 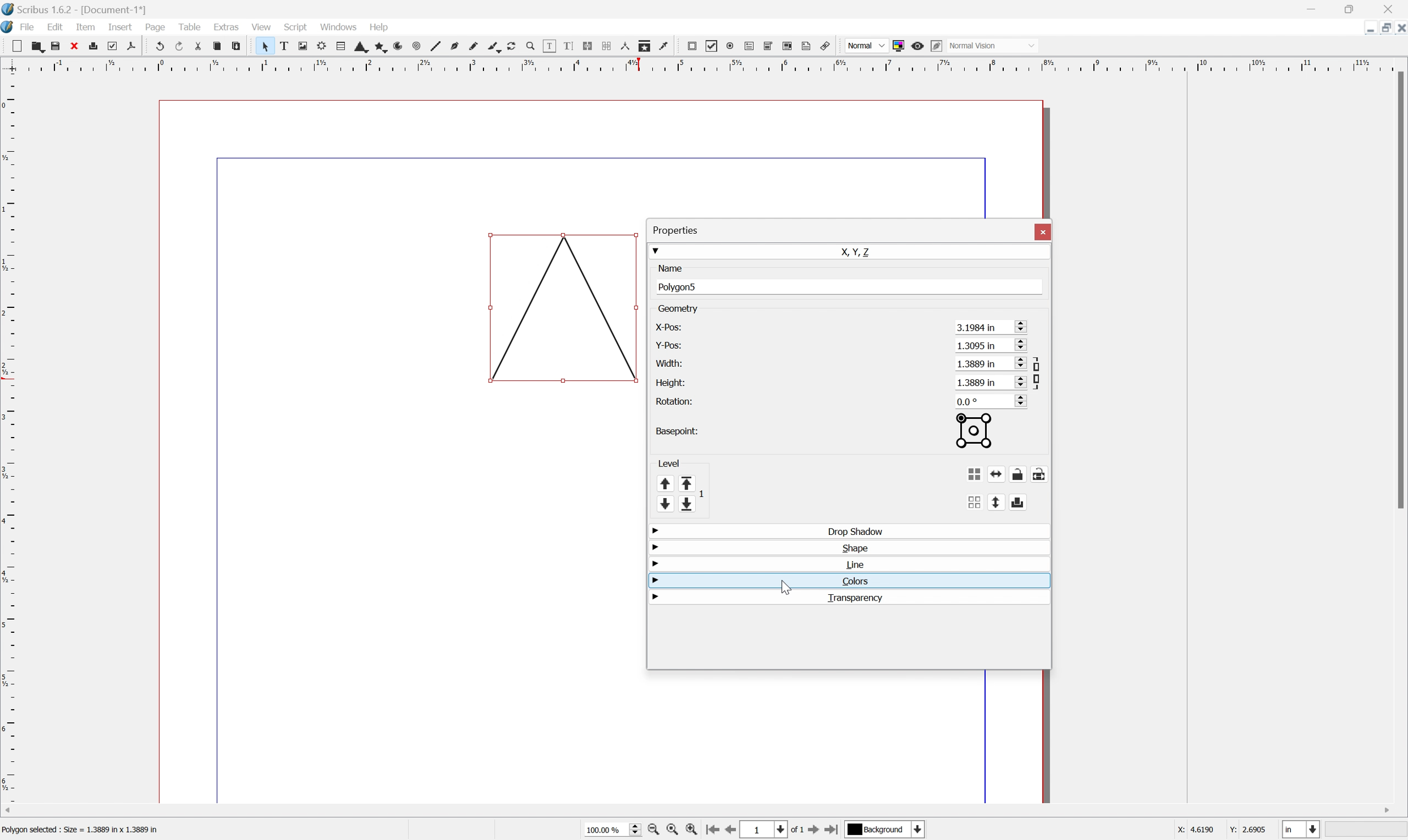 What do you see at coordinates (668, 462) in the screenshot?
I see `Level` at bounding box center [668, 462].